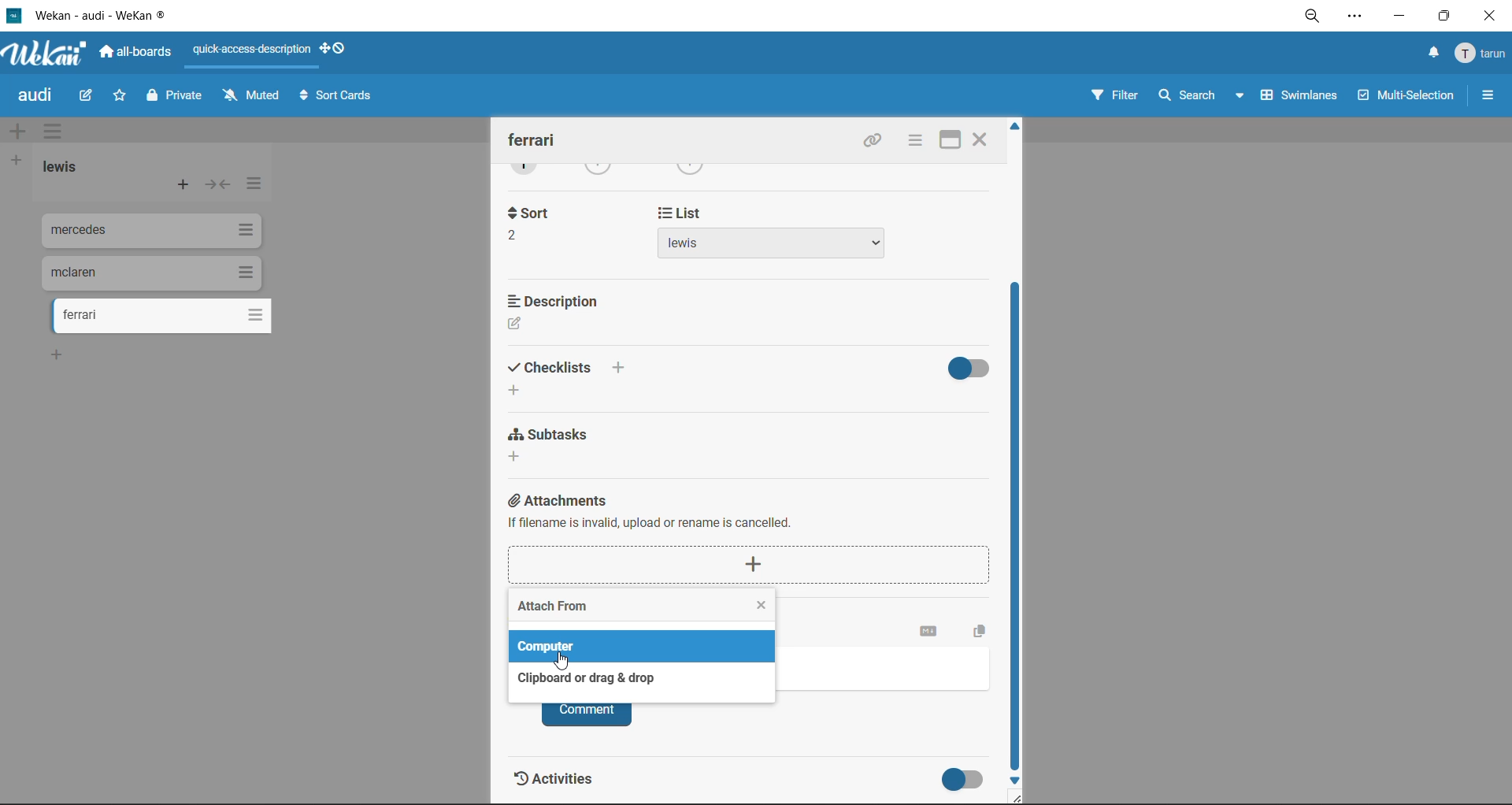  Describe the element at coordinates (248, 97) in the screenshot. I see `muted` at that location.